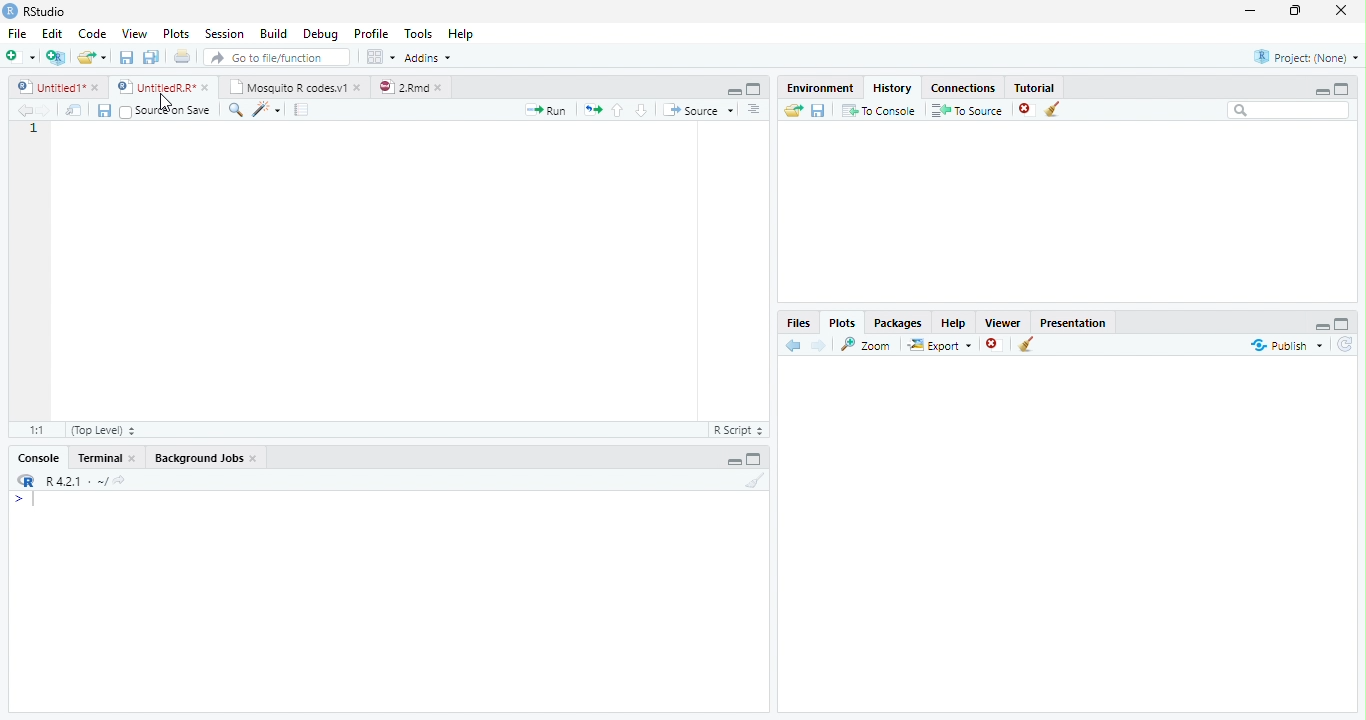 This screenshot has height=720, width=1366. I want to click on Print, so click(182, 56).